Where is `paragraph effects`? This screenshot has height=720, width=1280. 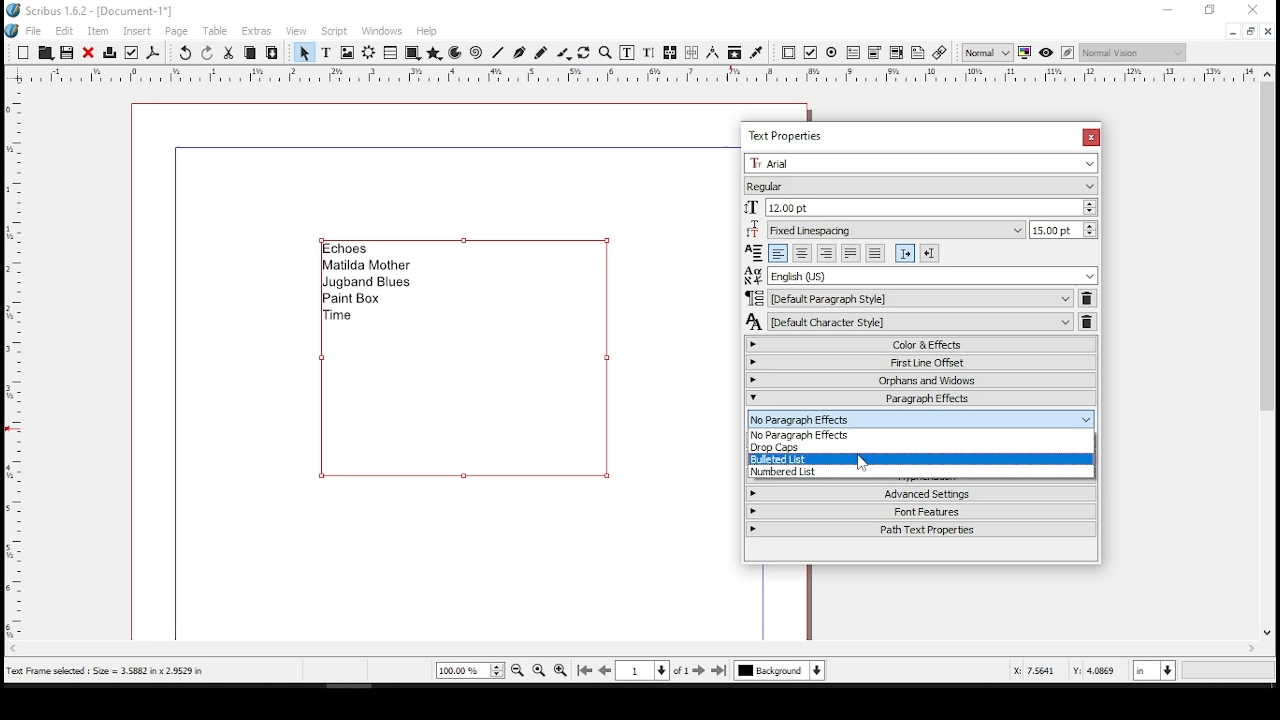 paragraph effects is located at coordinates (922, 398).